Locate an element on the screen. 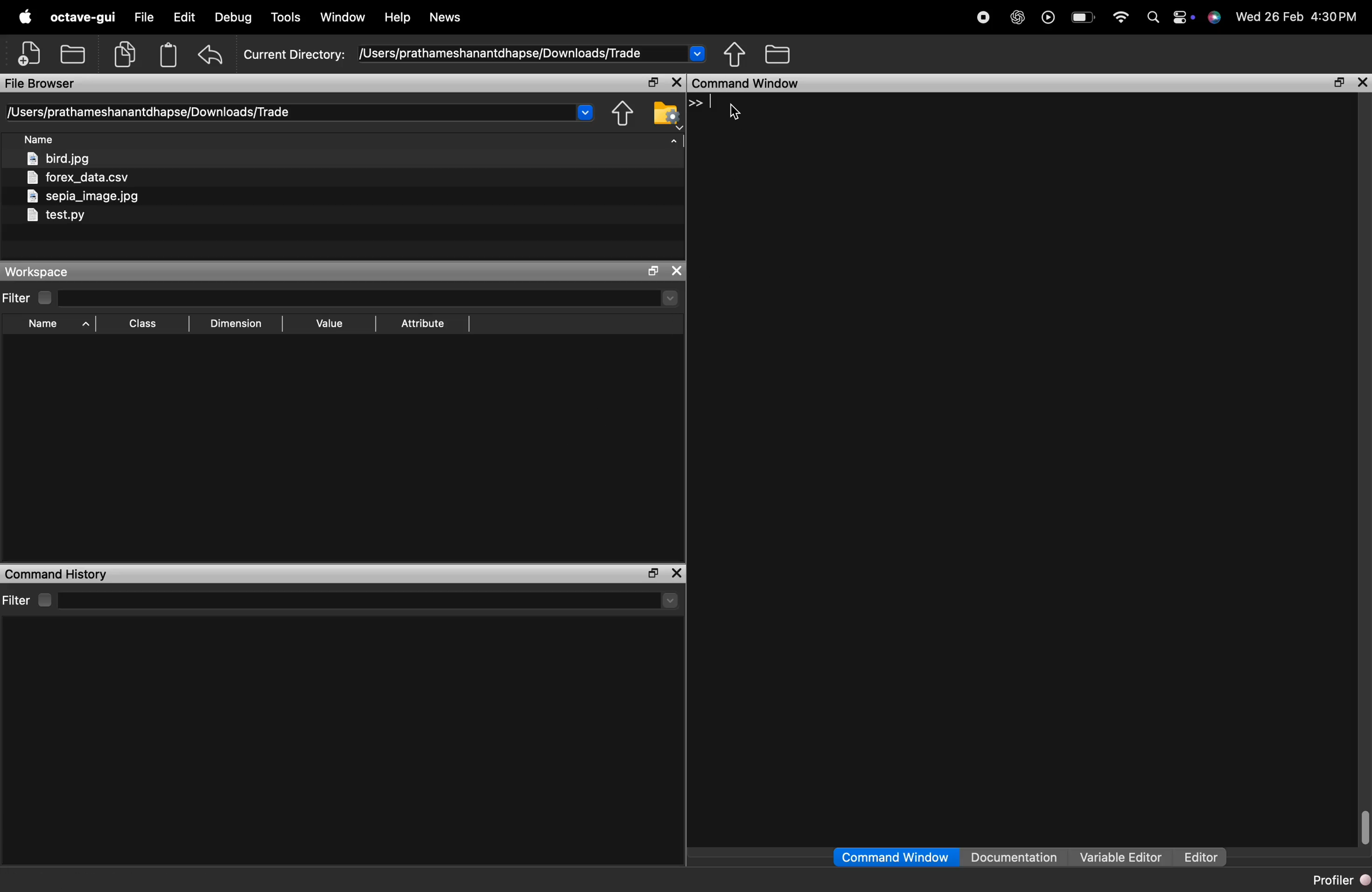 The width and height of the screenshot is (1372, 892). Editor is located at coordinates (1203, 857).